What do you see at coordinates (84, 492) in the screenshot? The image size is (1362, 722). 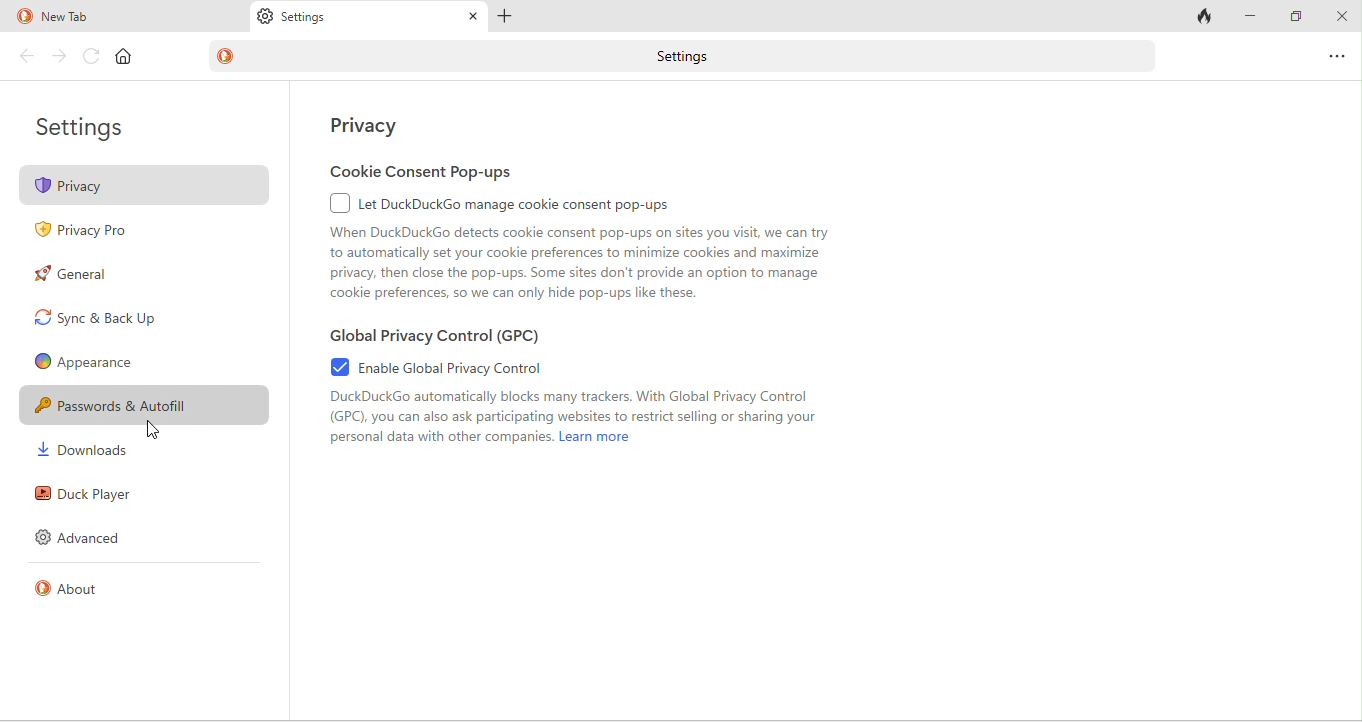 I see `duck player` at bounding box center [84, 492].